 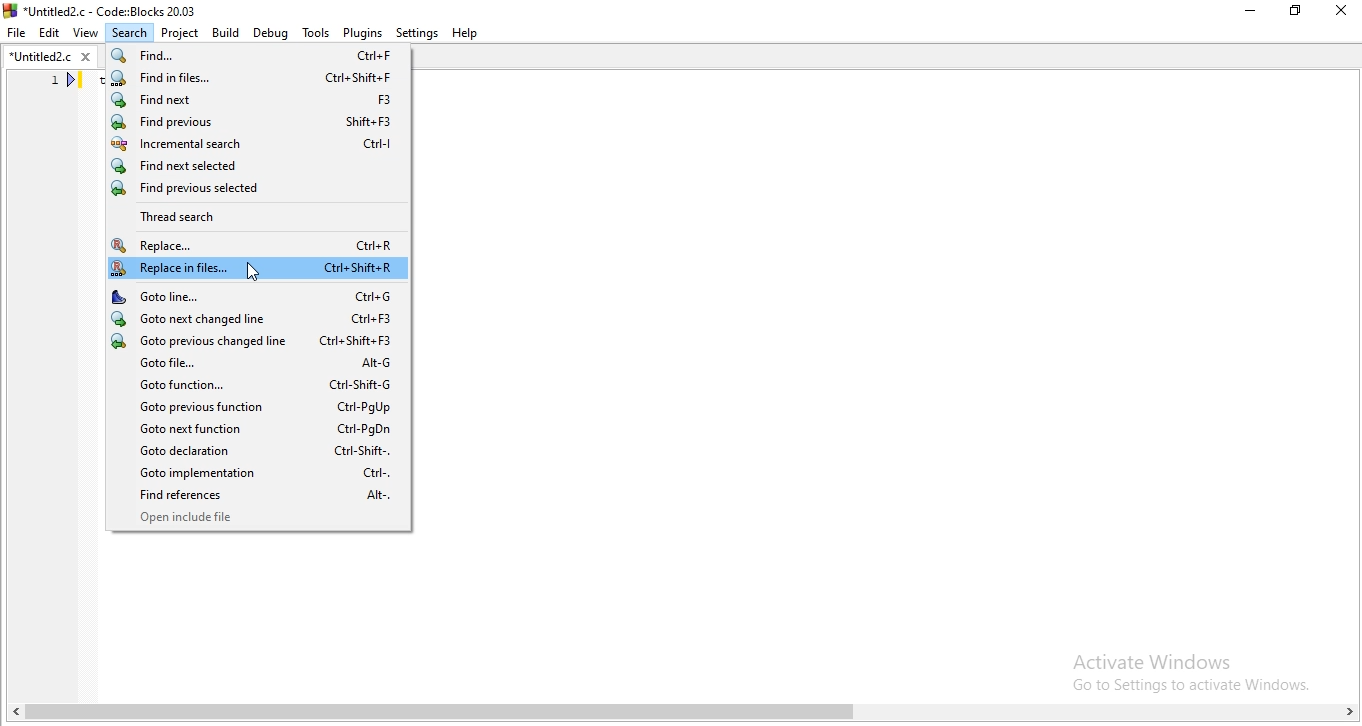 I want to click on Debug , so click(x=271, y=31).